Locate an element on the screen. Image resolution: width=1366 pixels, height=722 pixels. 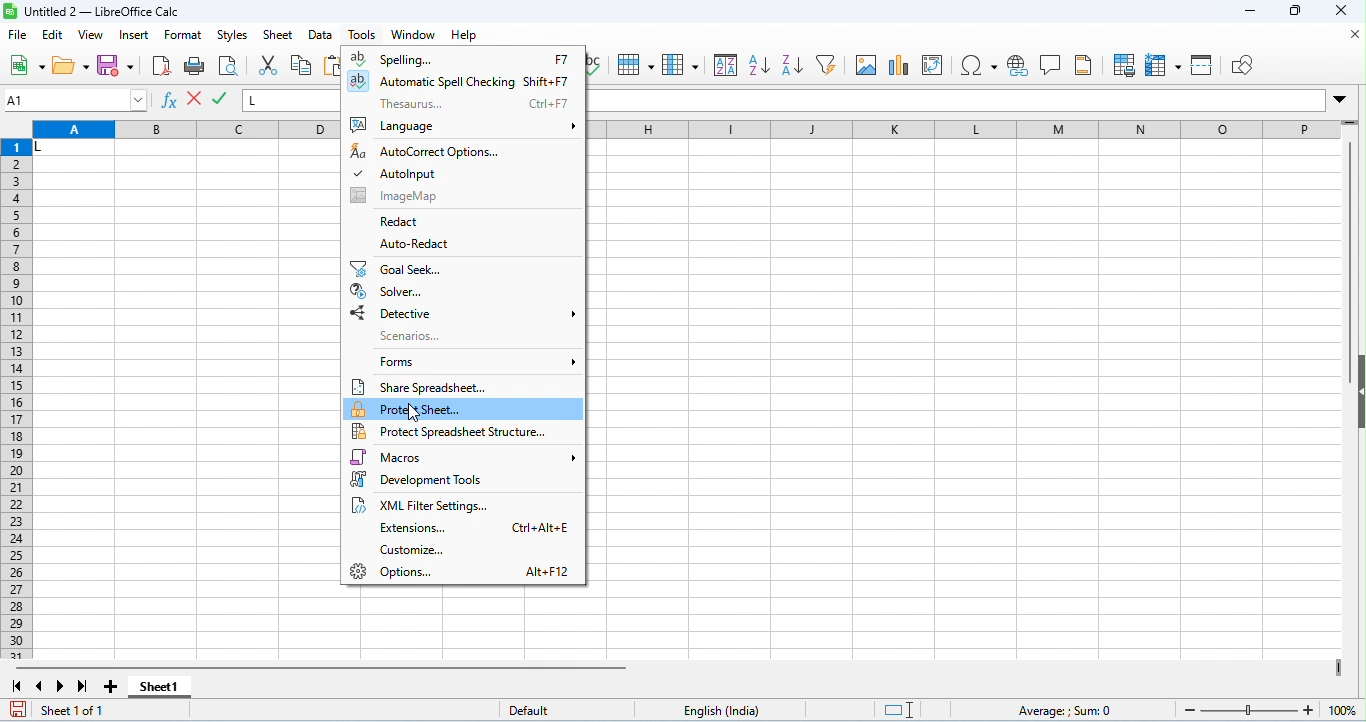
selected cell number is located at coordinates (76, 100).